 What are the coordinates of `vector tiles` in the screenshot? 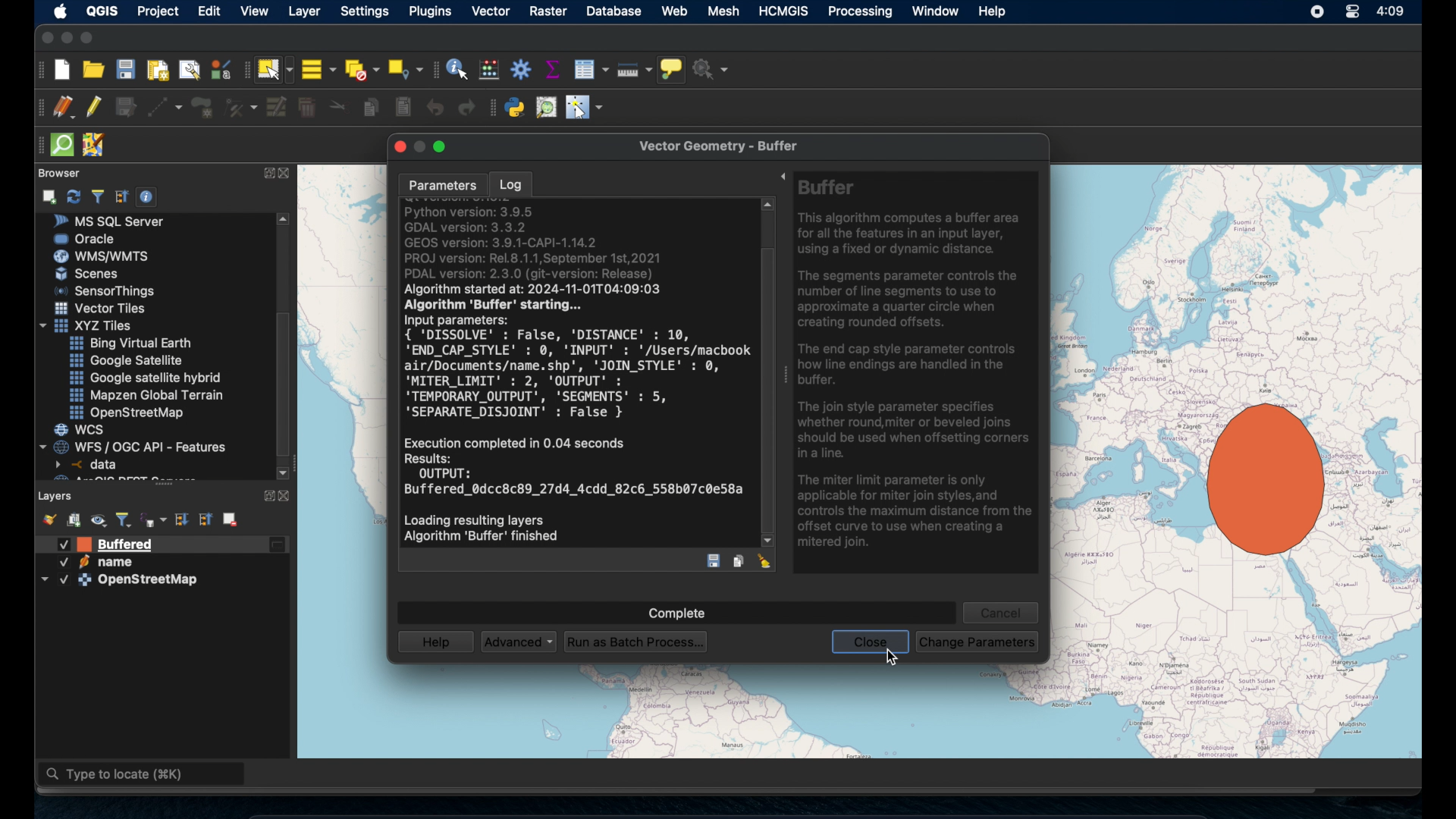 It's located at (101, 308).